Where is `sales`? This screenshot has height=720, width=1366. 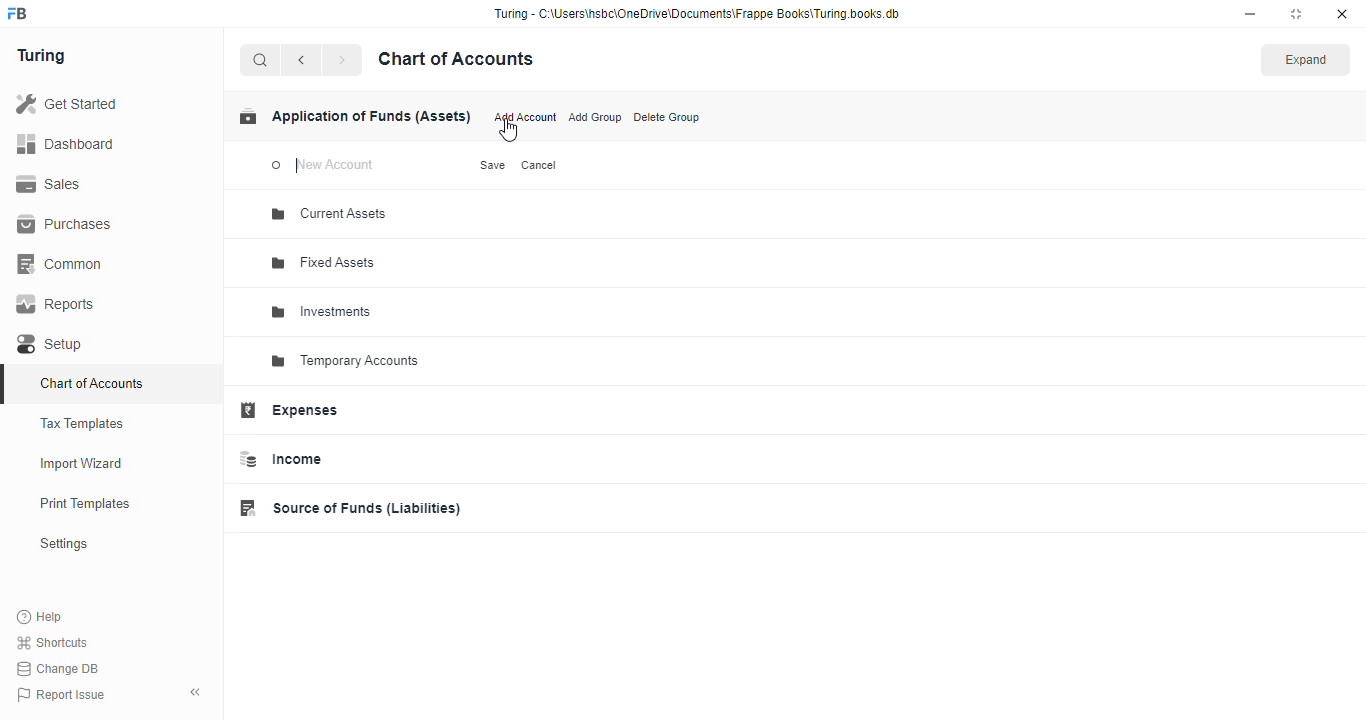 sales is located at coordinates (49, 184).